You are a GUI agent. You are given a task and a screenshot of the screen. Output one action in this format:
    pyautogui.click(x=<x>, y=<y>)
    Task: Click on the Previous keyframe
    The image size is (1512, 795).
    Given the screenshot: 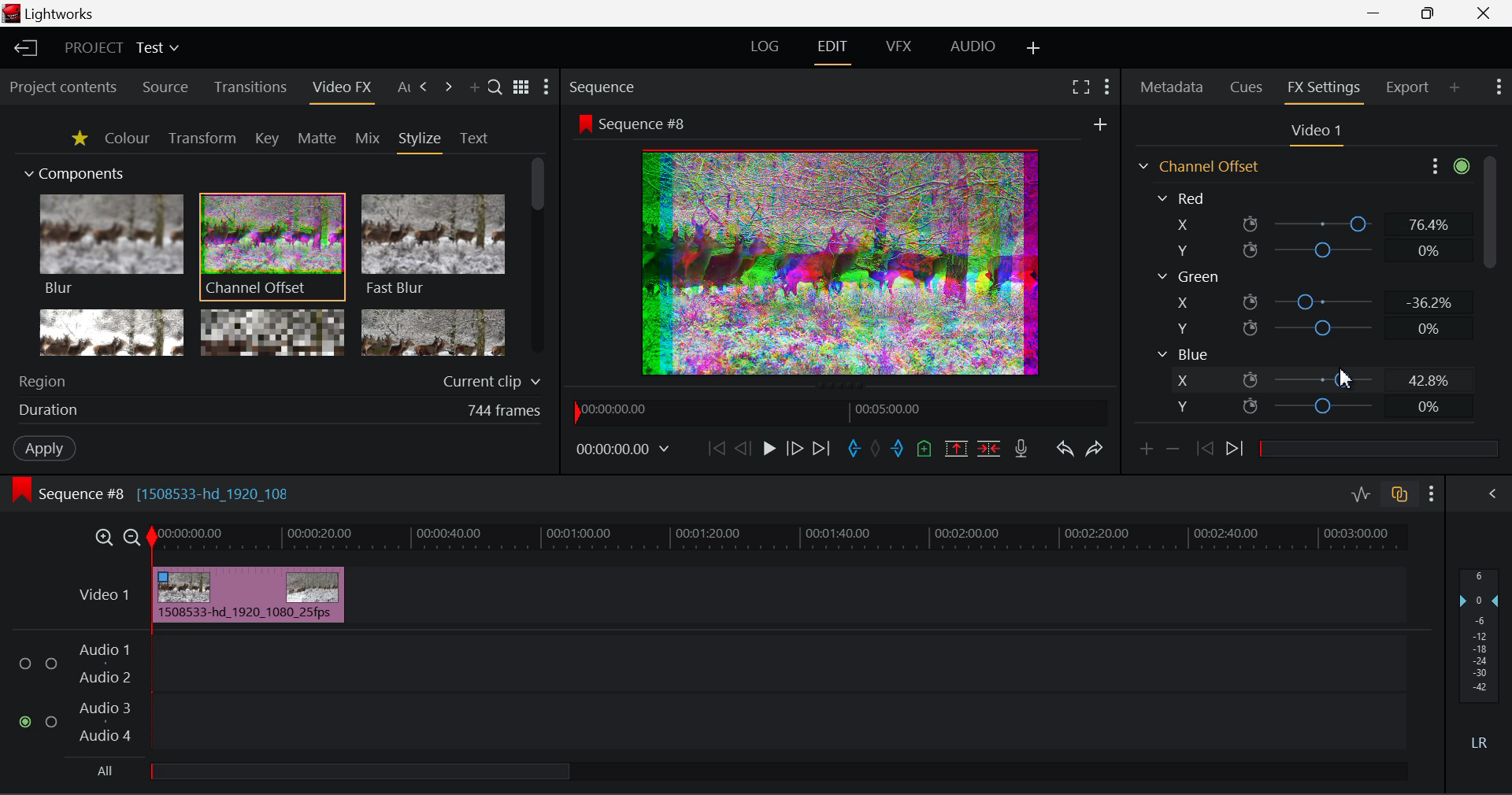 What is the action you would take?
    pyautogui.click(x=1206, y=449)
    